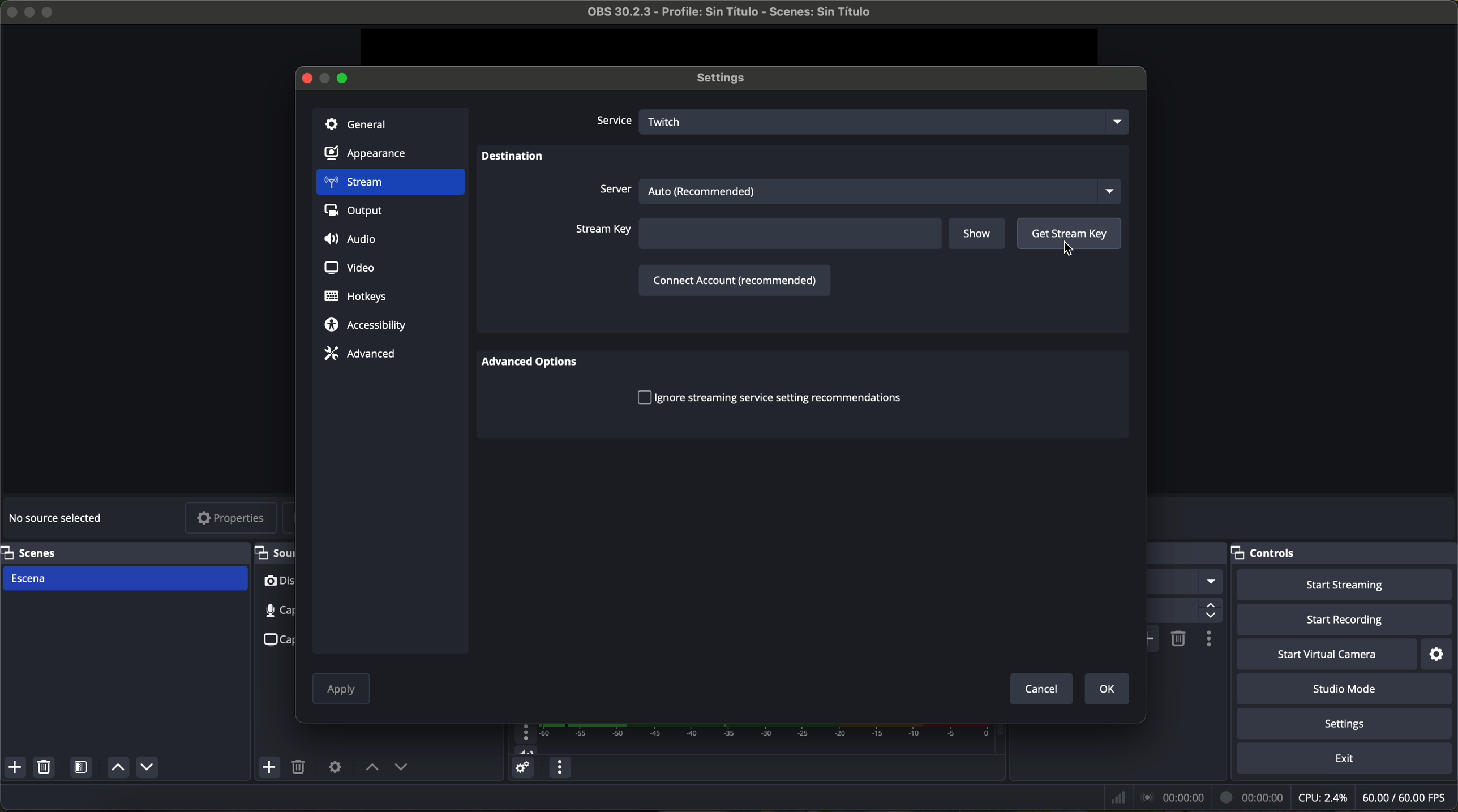 The width and height of the screenshot is (1458, 812). What do you see at coordinates (1344, 553) in the screenshot?
I see `controls` at bounding box center [1344, 553].